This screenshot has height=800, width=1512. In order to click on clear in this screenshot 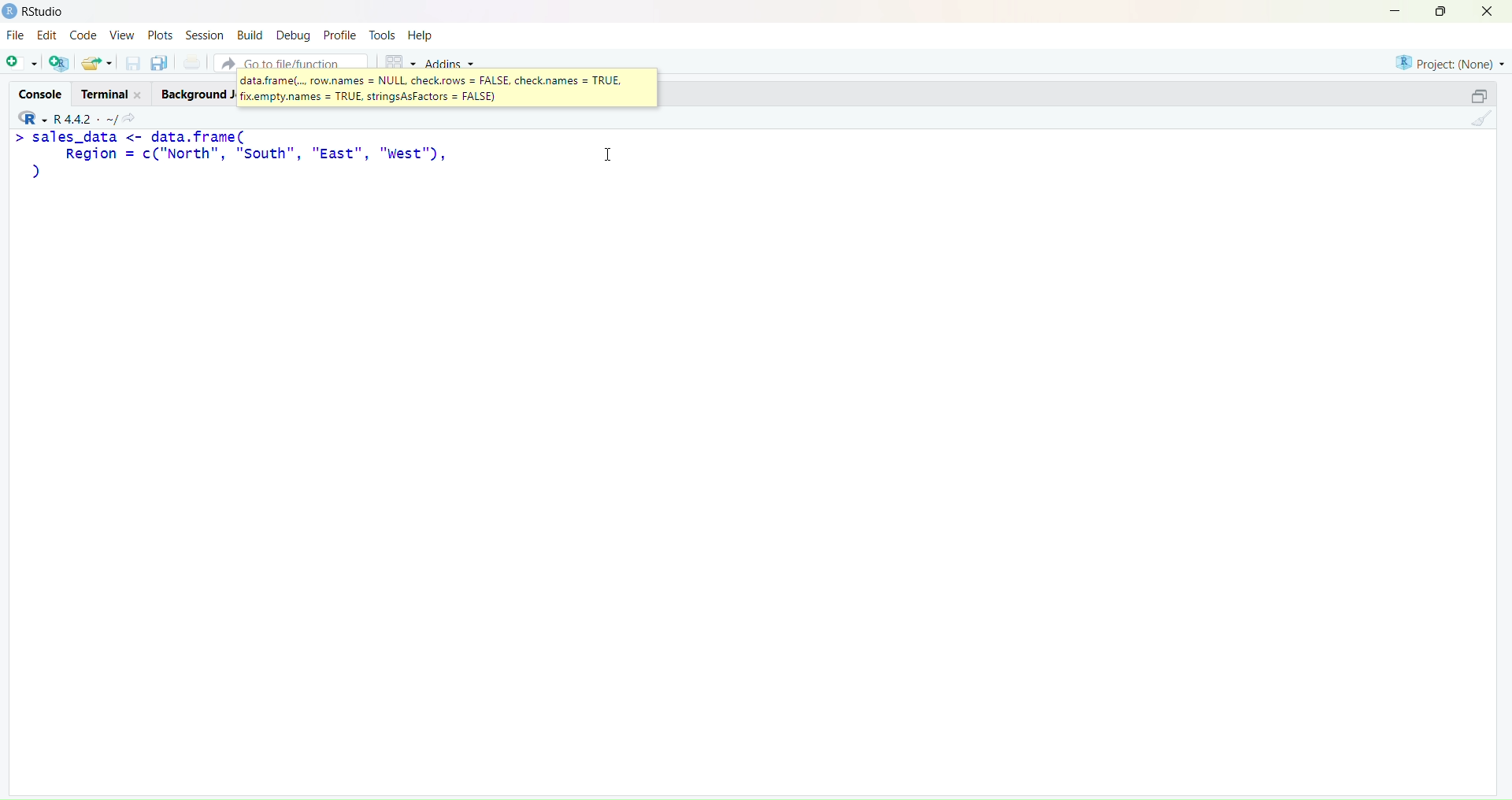, I will do `click(1485, 122)`.